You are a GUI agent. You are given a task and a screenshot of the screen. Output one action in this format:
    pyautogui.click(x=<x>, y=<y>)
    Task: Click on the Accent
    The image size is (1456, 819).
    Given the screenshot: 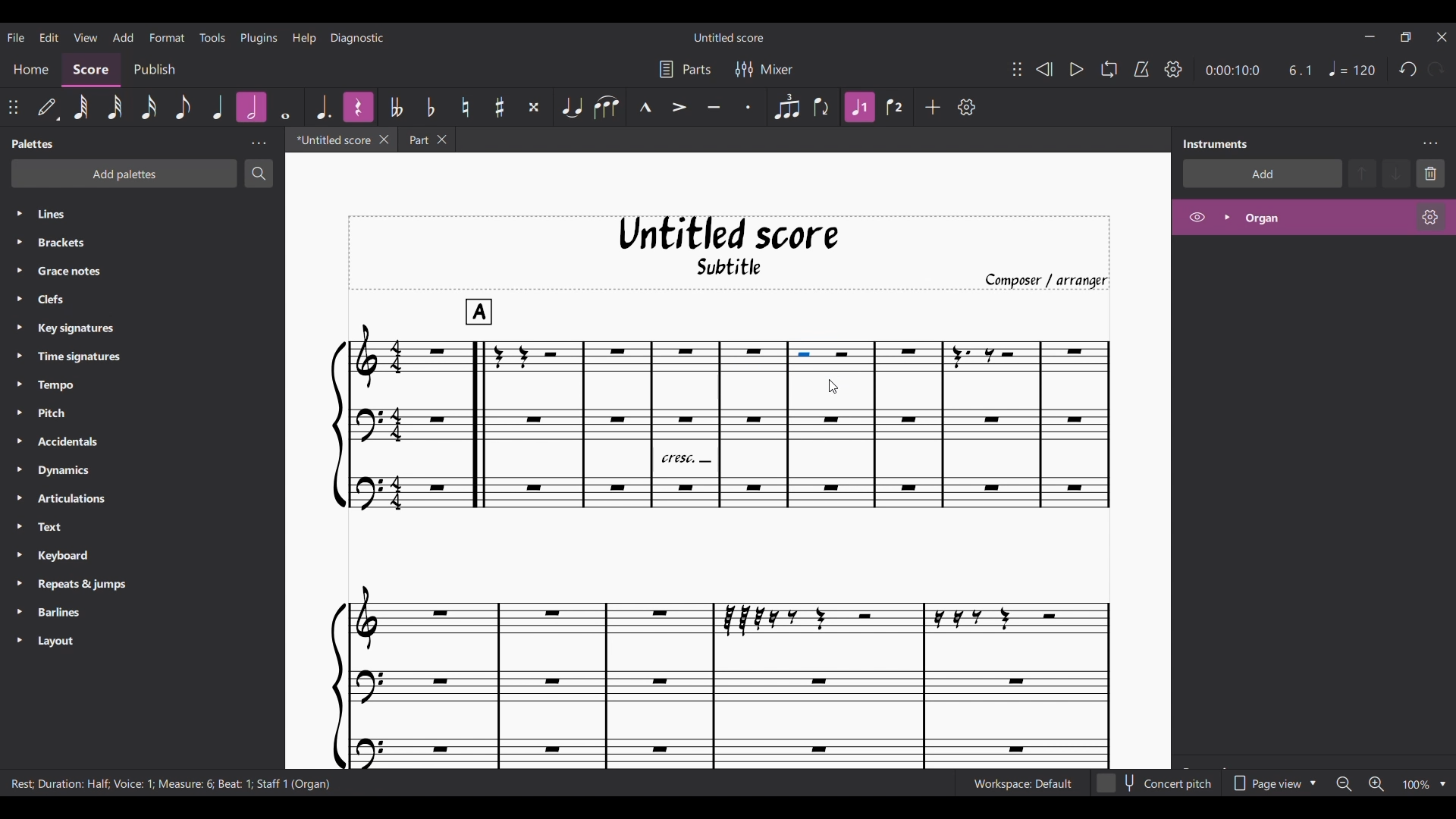 What is the action you would take?
    pyautogui.click(x=679, y=108)
    